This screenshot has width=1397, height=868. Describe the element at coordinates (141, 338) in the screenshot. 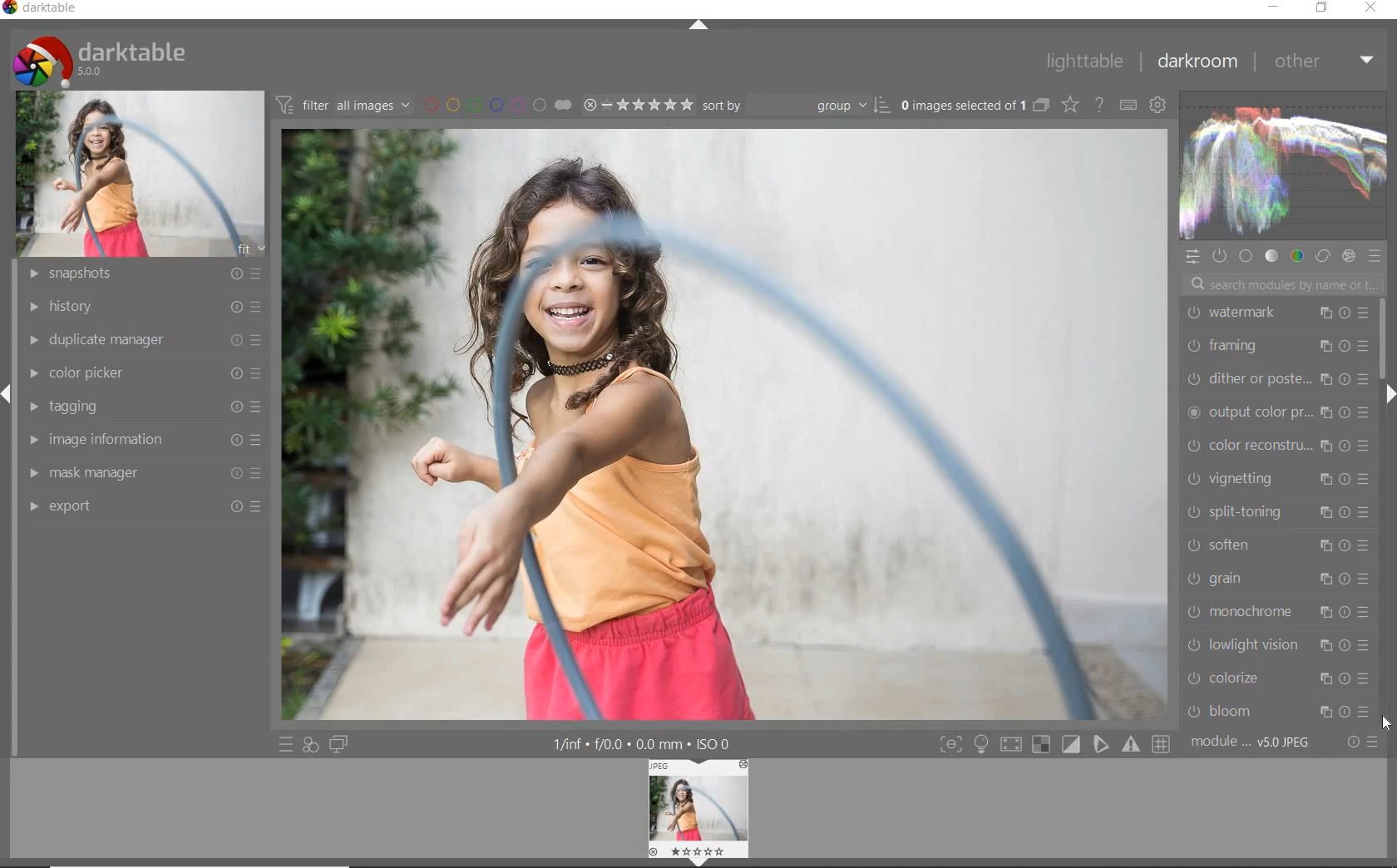

I see `duplicate manager` at that location.